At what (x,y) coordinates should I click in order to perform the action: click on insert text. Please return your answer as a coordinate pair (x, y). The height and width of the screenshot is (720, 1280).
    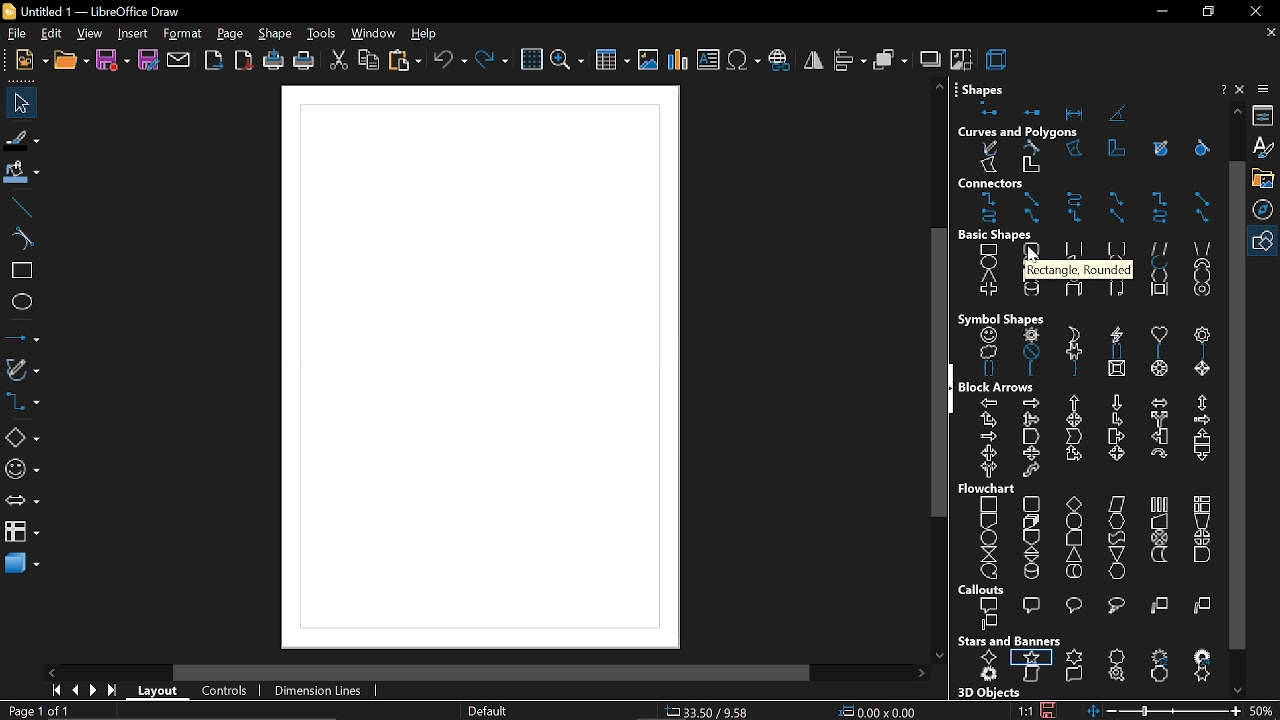
    Looking at the image, I should click on (708, 61).